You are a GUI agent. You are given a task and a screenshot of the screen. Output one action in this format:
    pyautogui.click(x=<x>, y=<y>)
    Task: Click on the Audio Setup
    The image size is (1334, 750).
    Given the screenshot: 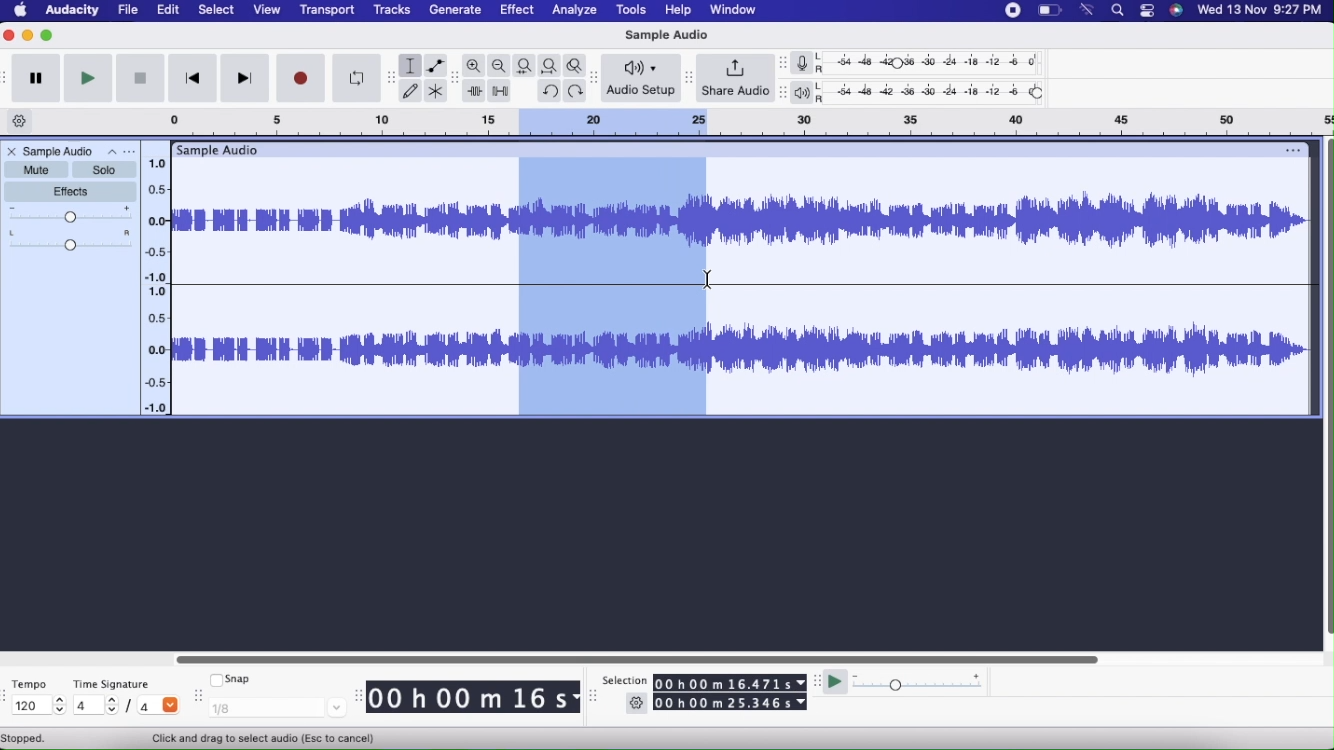 What is the action you would take?
    pyautogui.click(x=642, y=77)
    